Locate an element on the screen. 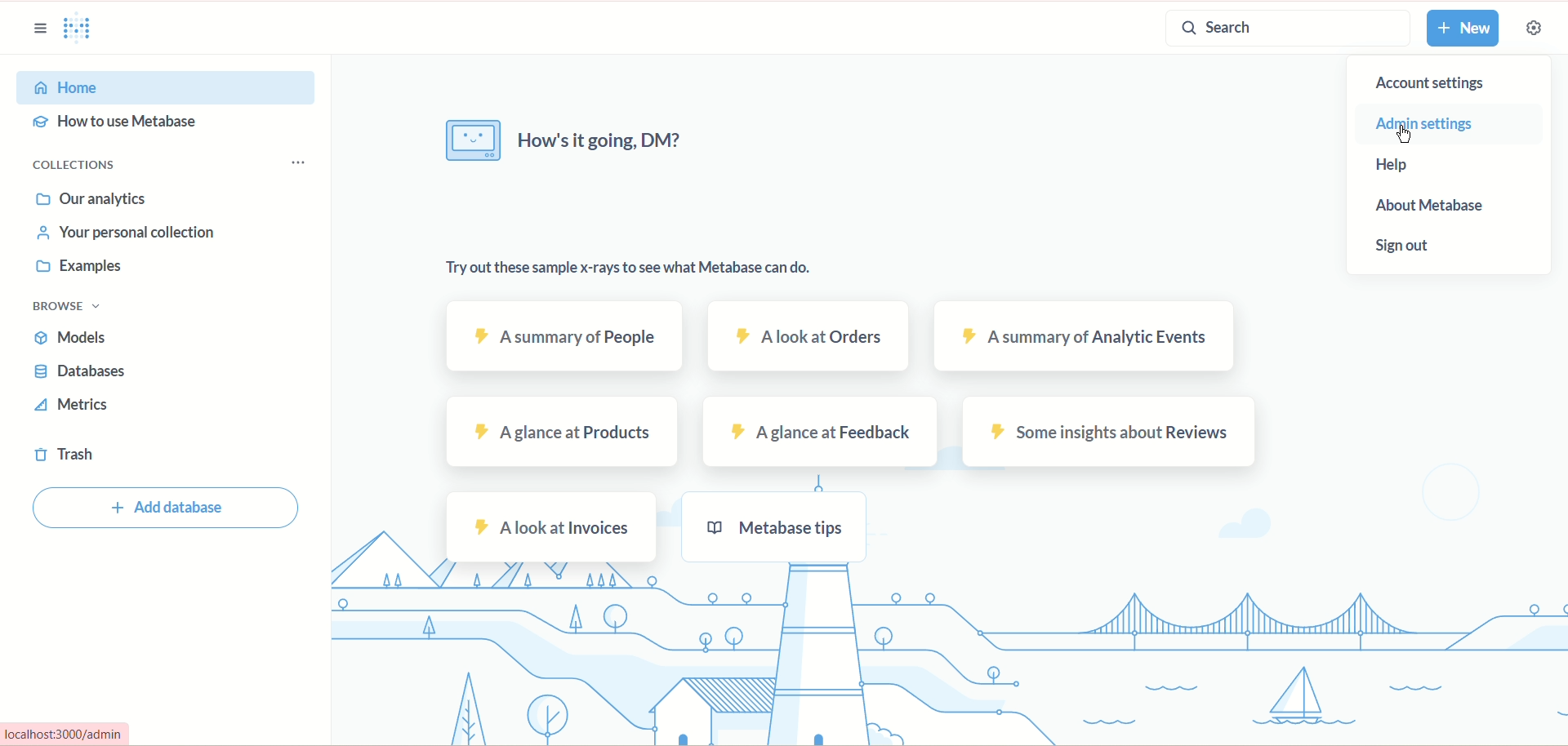  a look at invoices is located at coordinates (550, 527).